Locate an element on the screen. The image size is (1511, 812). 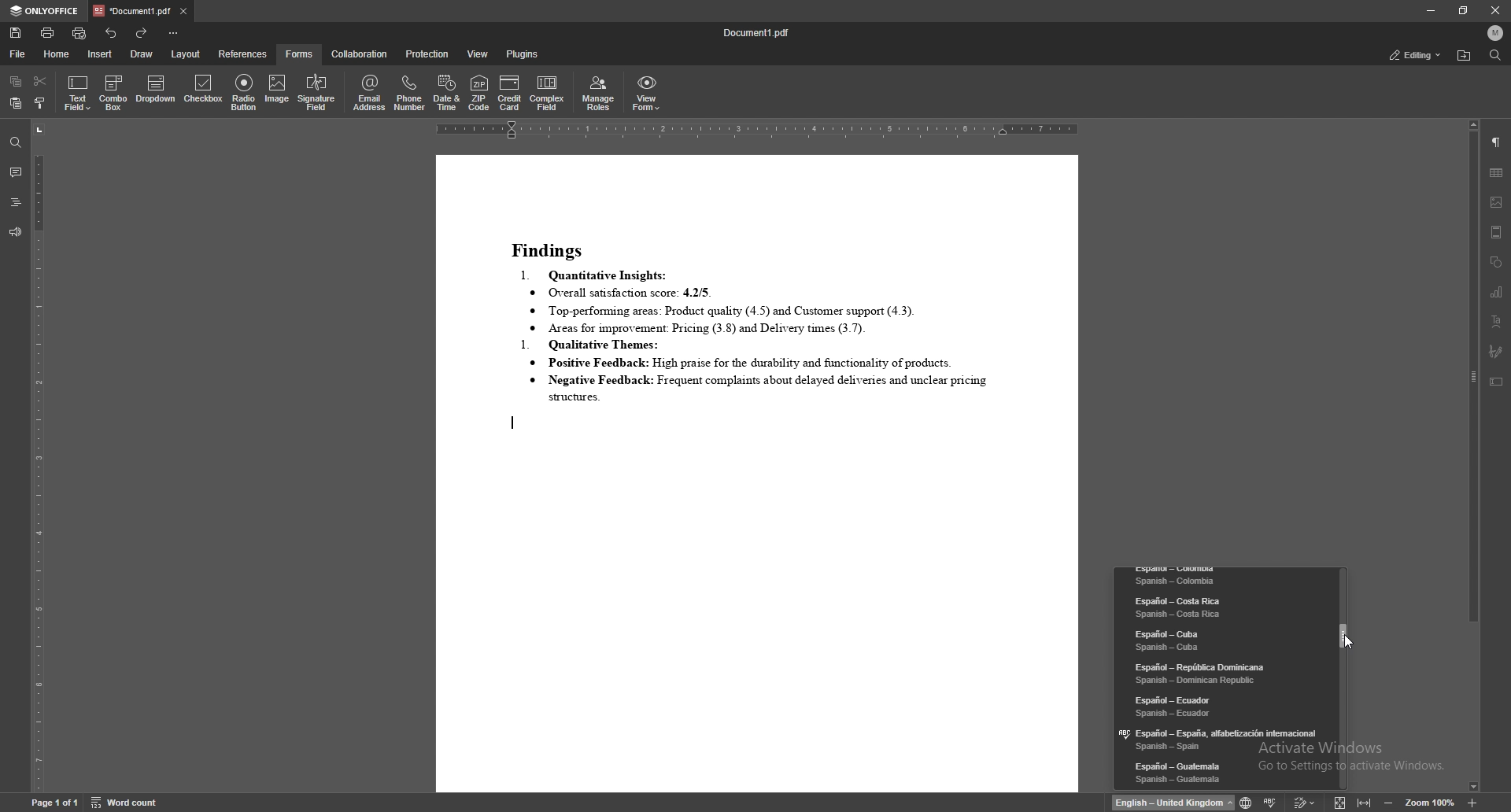
scroll bar is located at coordinates (1473, 458).